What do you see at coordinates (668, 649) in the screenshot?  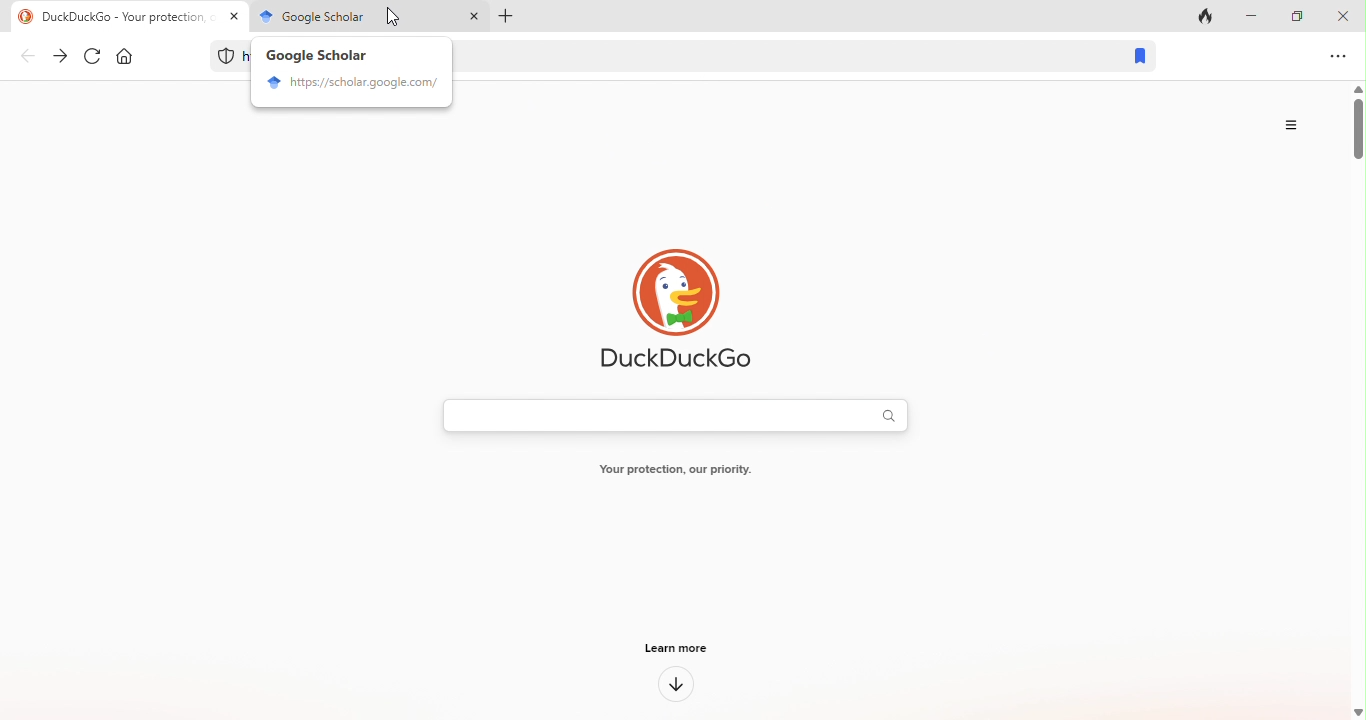 I see `learn more` at bounding box center [668, 649].